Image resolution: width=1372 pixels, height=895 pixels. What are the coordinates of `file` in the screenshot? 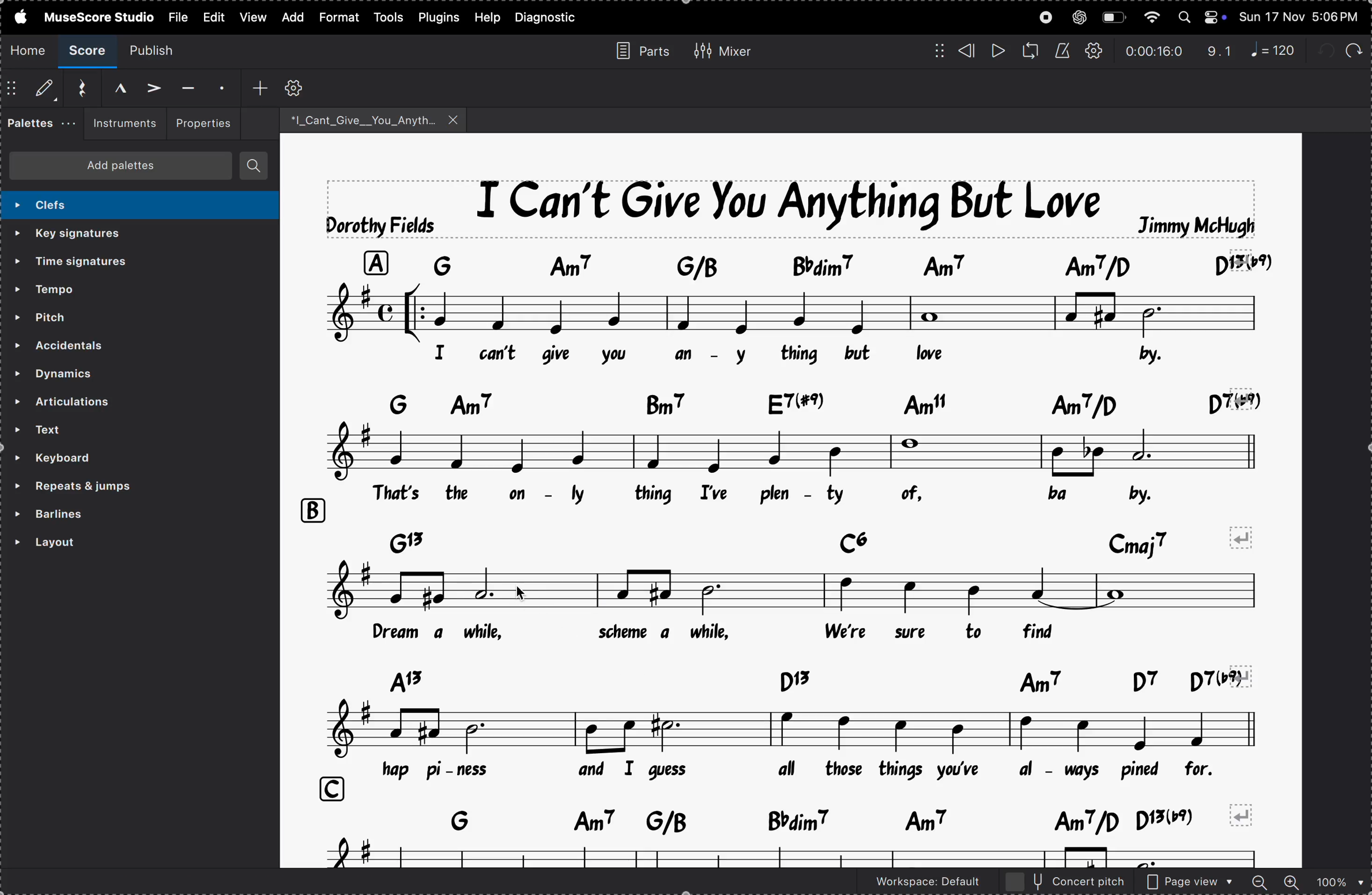 It's located at (177, 16).